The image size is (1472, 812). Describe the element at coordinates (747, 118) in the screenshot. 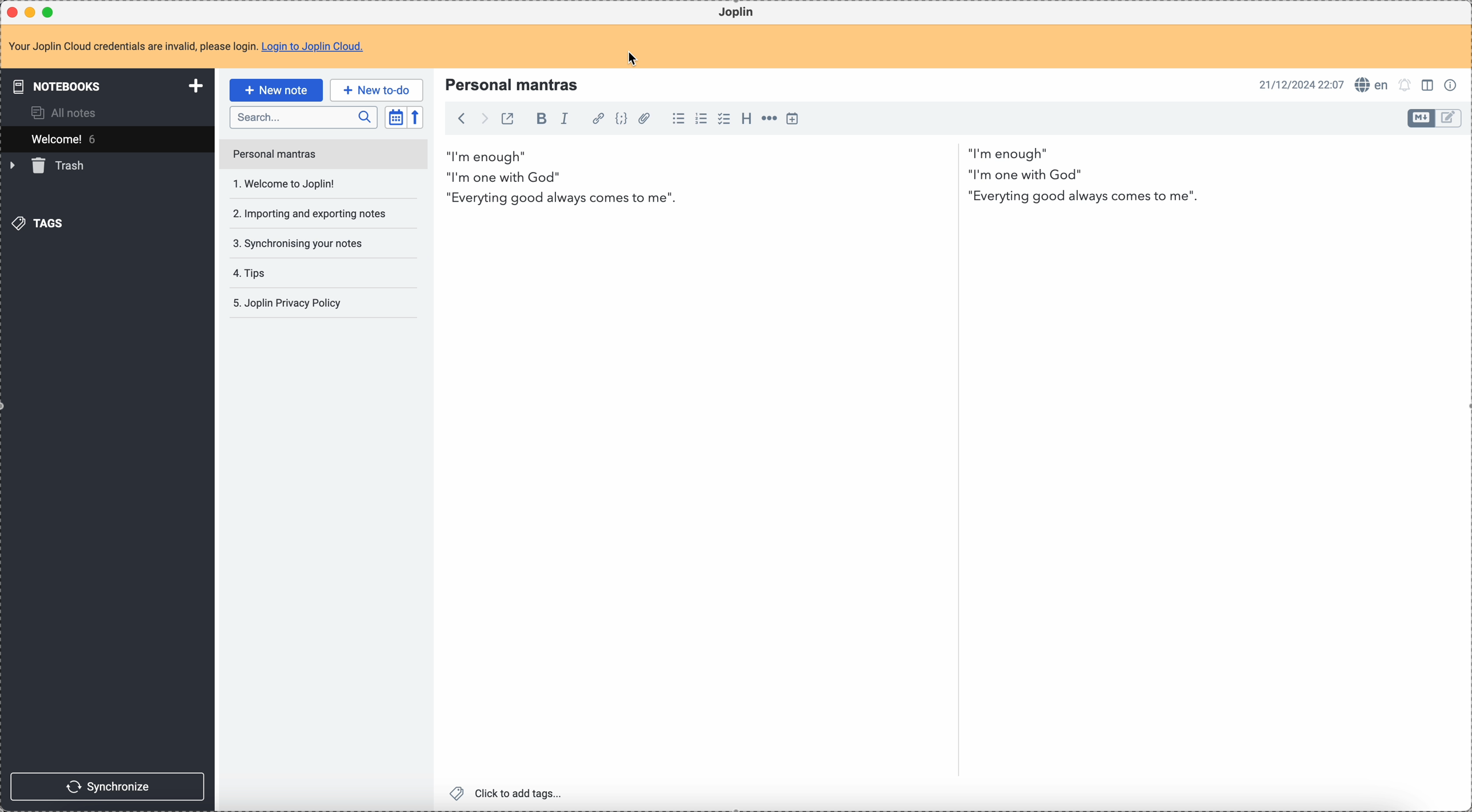

I see `heading` at that location.